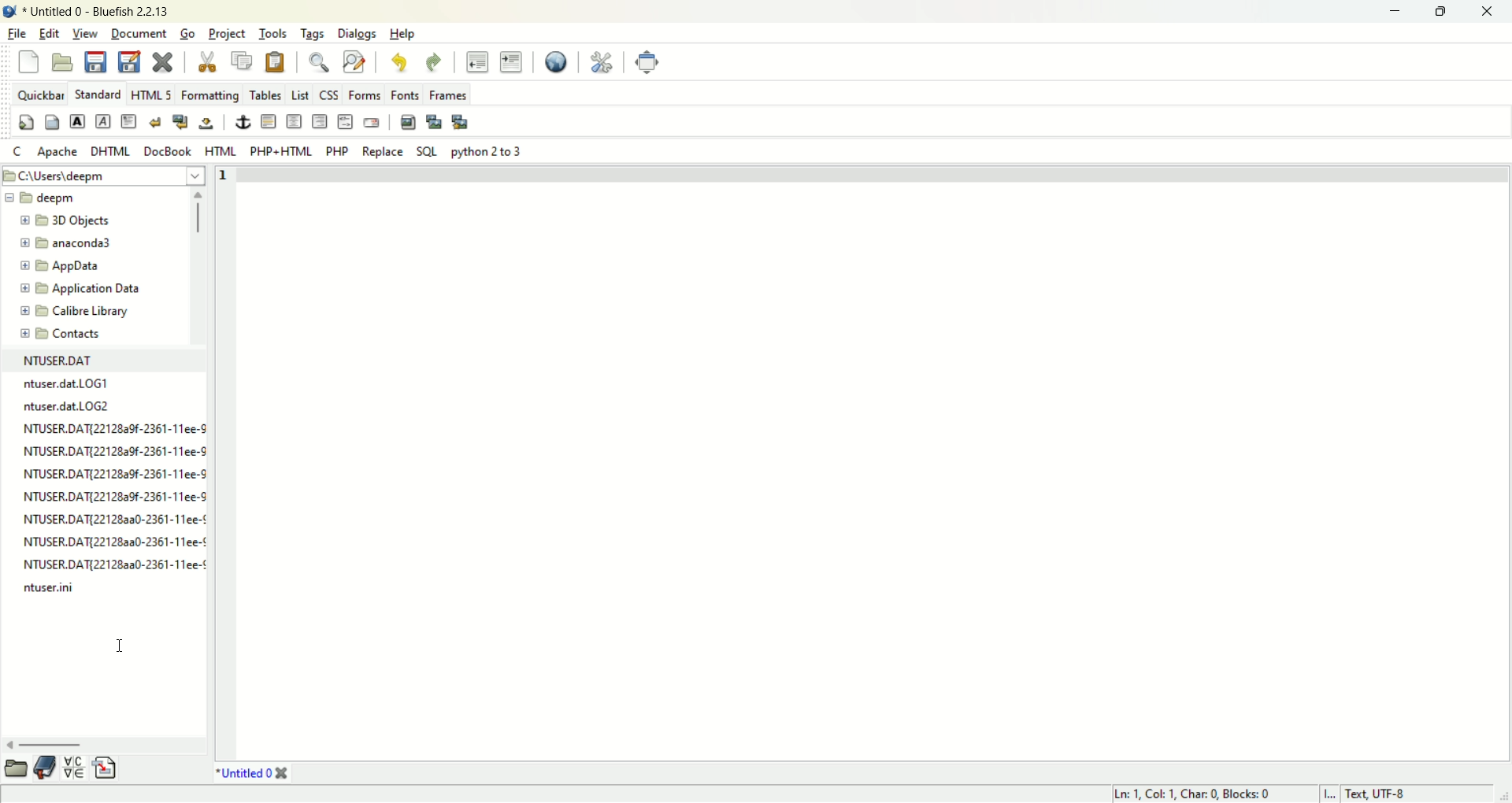 Image resolution: width=1512 pixels, height=803 pixels. What do you see at coordinates (27, 121) in the screenshot?
I see `quick settings` at bounding box center [27, 121].